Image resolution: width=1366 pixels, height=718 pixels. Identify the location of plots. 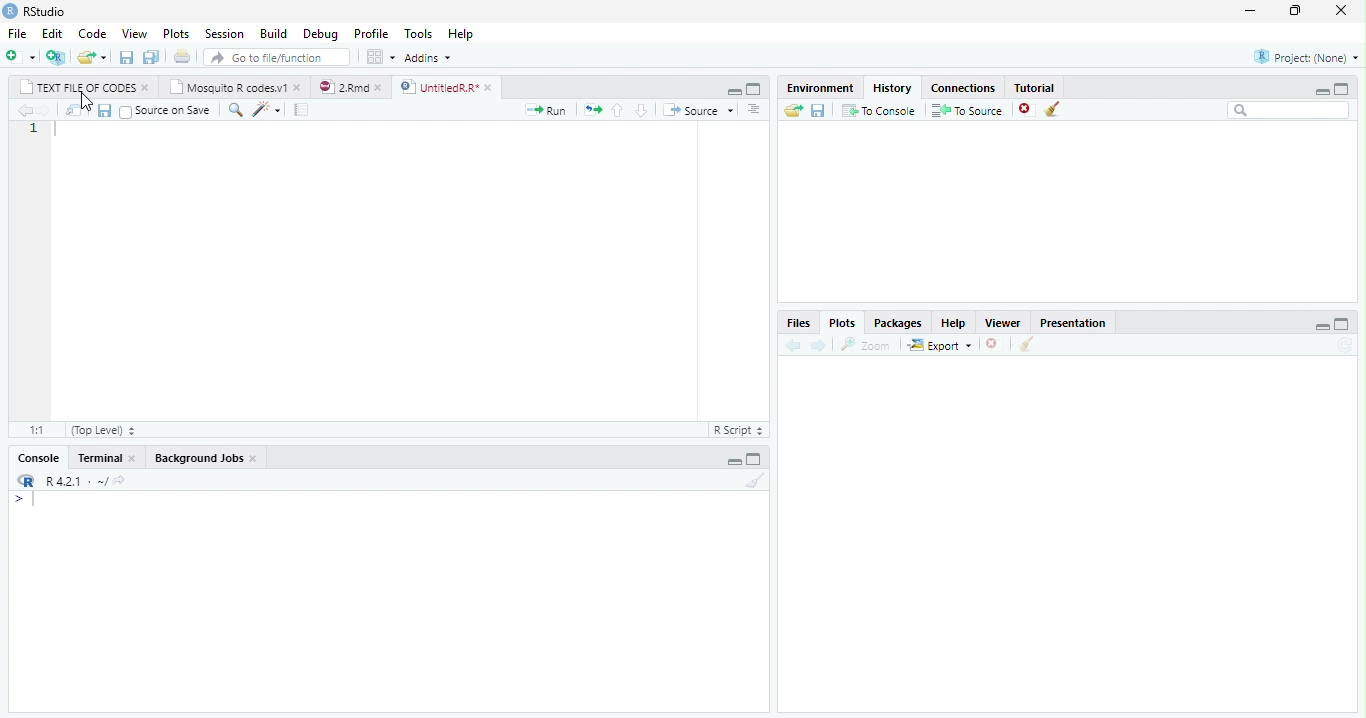
(846, 322).